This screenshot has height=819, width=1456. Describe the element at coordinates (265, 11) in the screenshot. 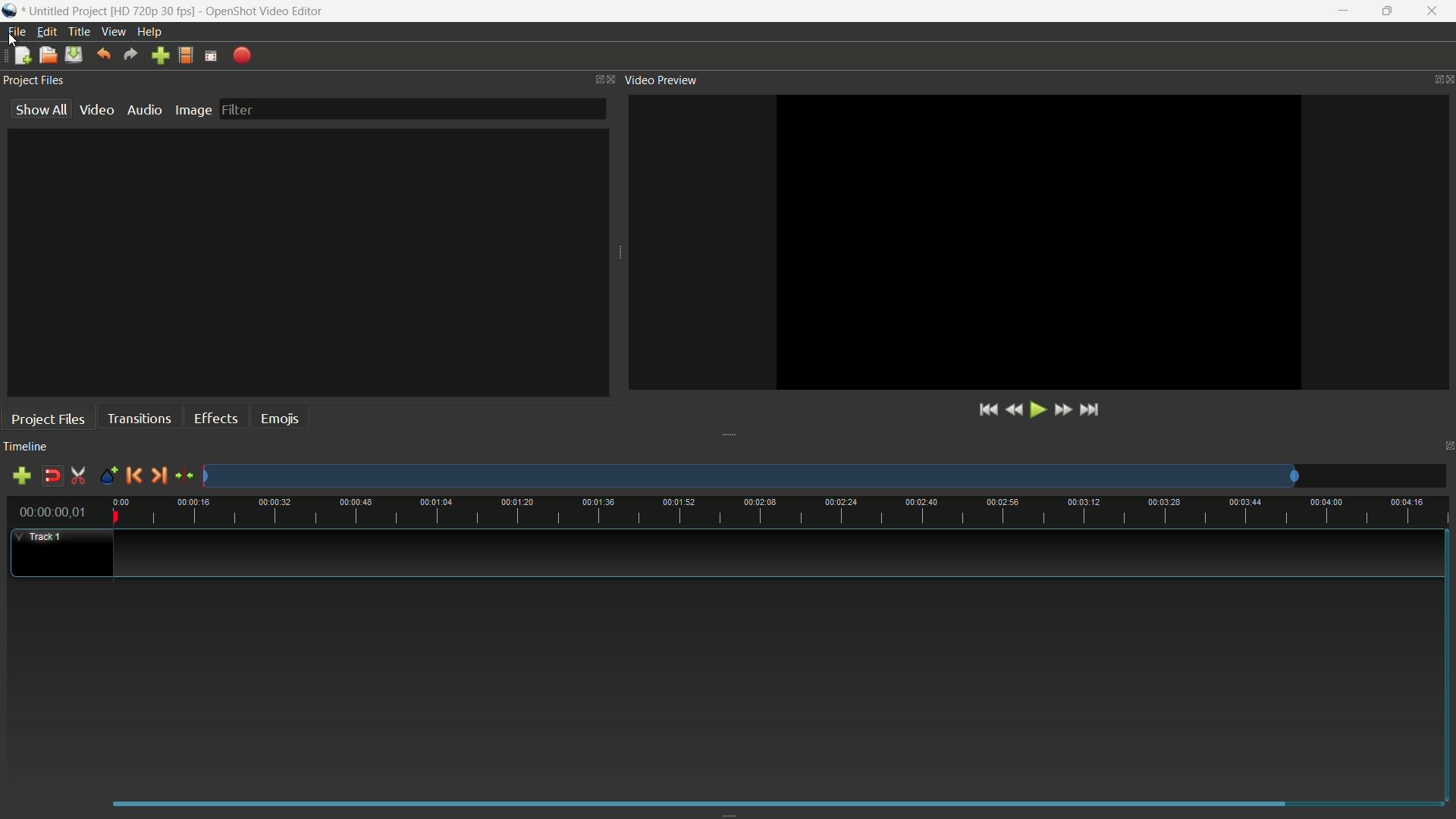

I see `app name` at that location.